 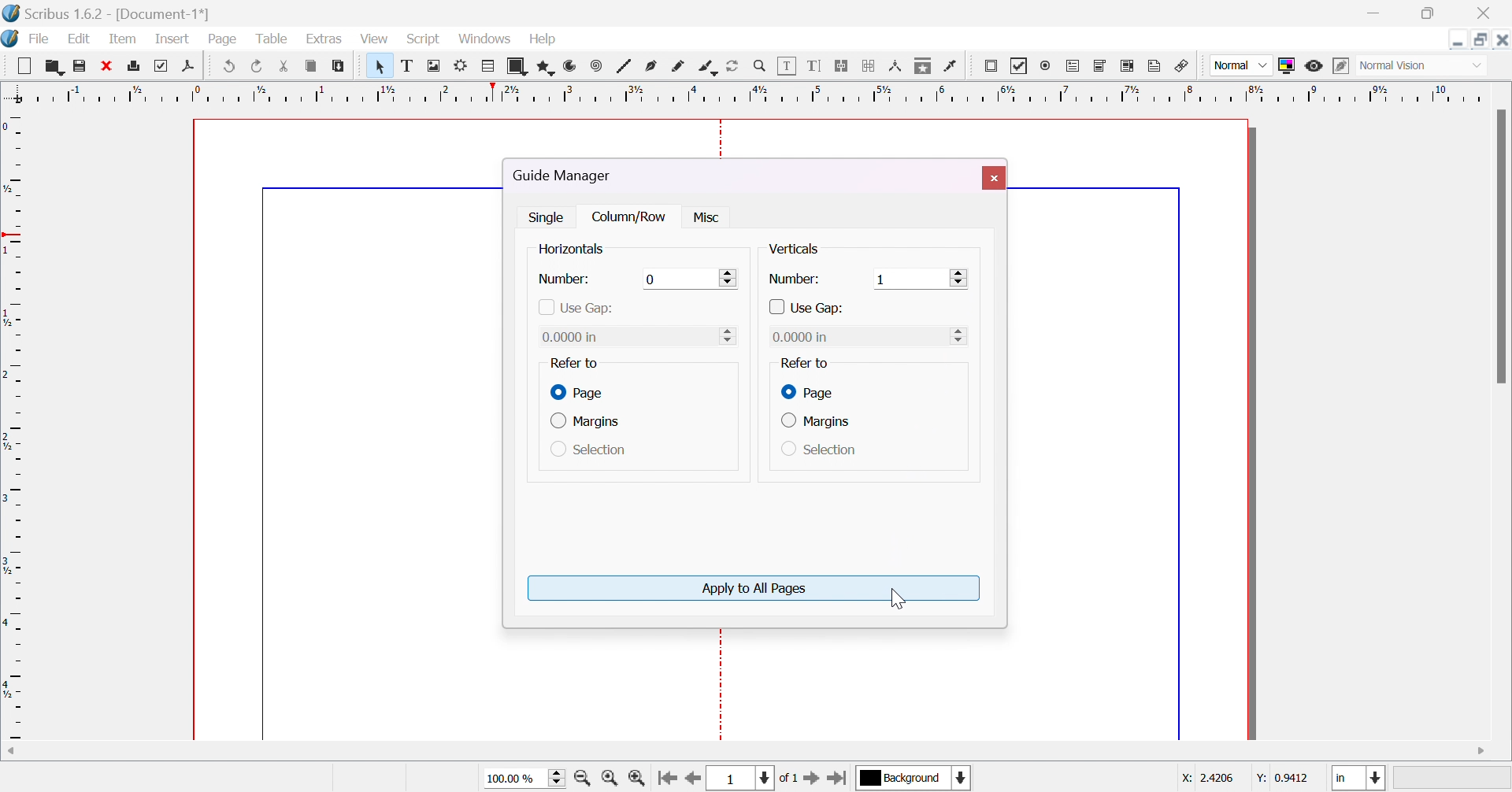 What do you see at coordinates (223, 36) in the screenshot?
I see `page` at bounding box center [223, 36].